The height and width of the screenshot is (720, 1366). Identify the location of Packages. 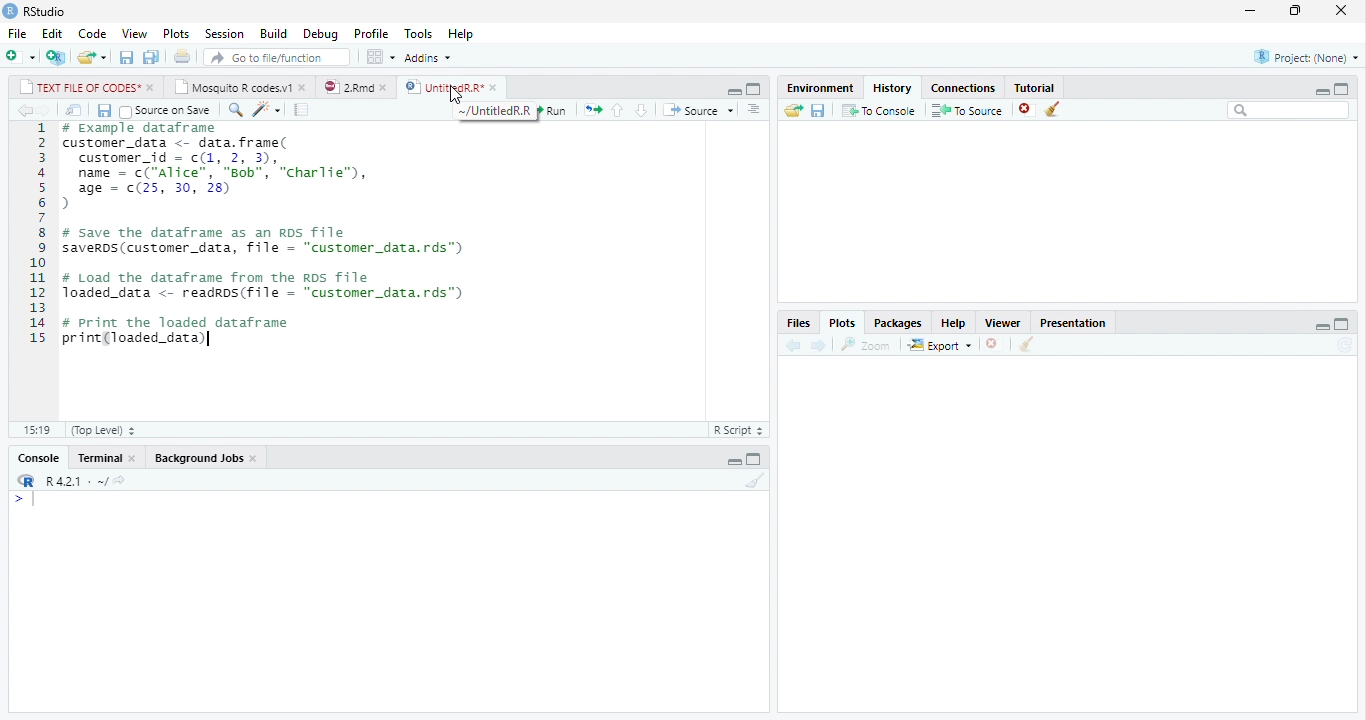
(895, 324).